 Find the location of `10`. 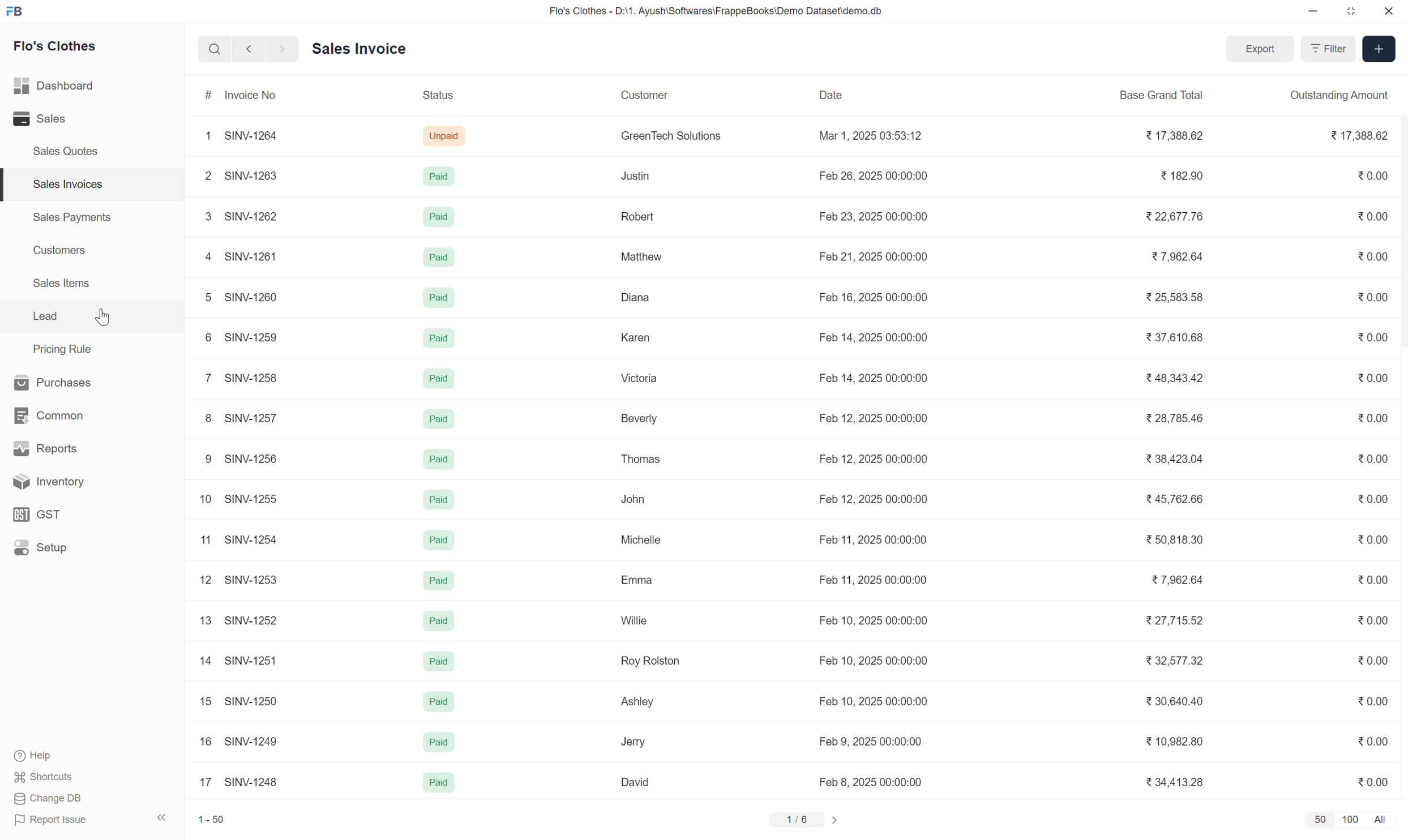

10 is located at coordinates (201, 498).